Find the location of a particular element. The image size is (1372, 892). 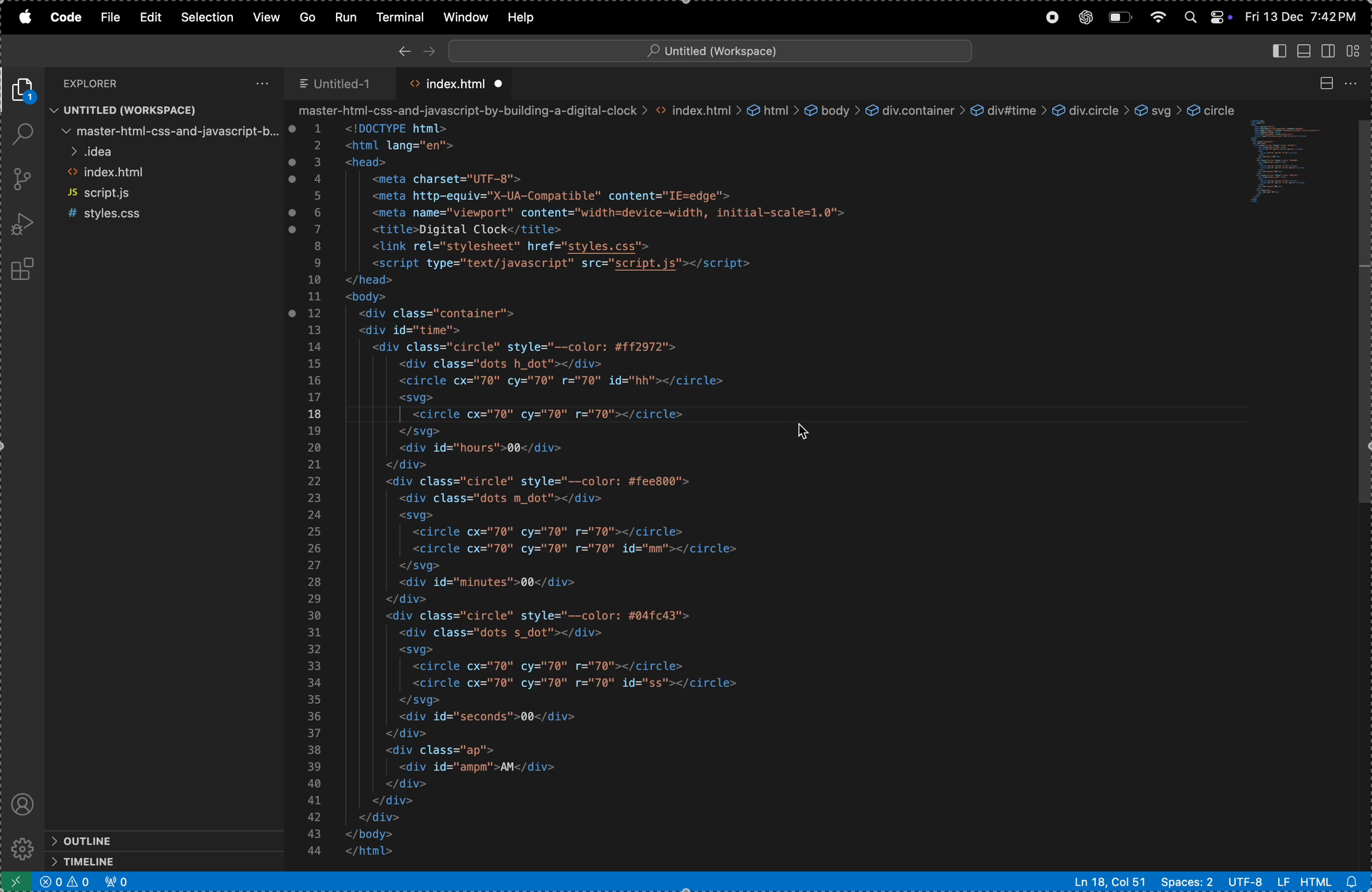

Line Number is located at coordinates (314, 489).